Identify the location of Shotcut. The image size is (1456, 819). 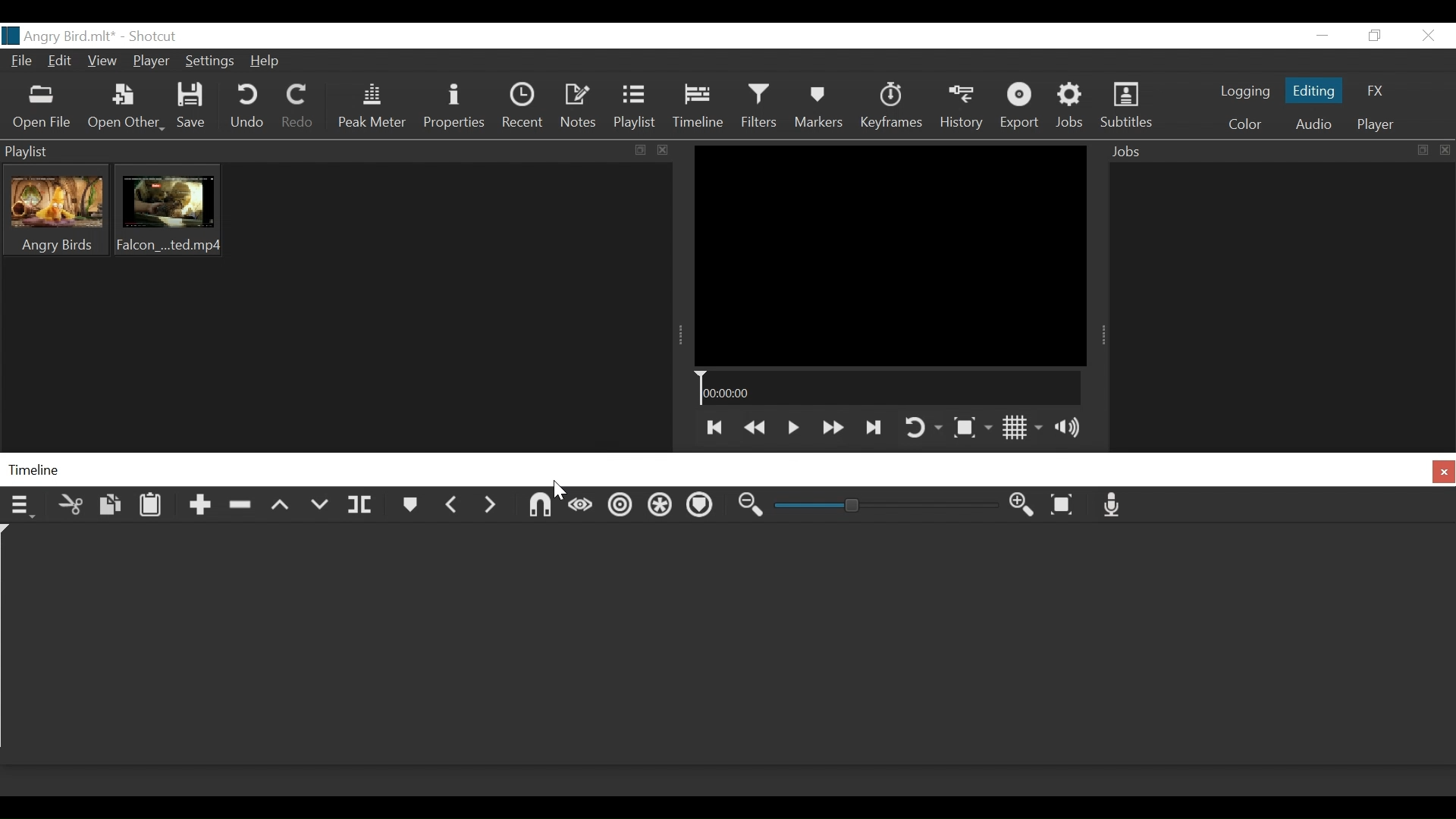
(151, 36).